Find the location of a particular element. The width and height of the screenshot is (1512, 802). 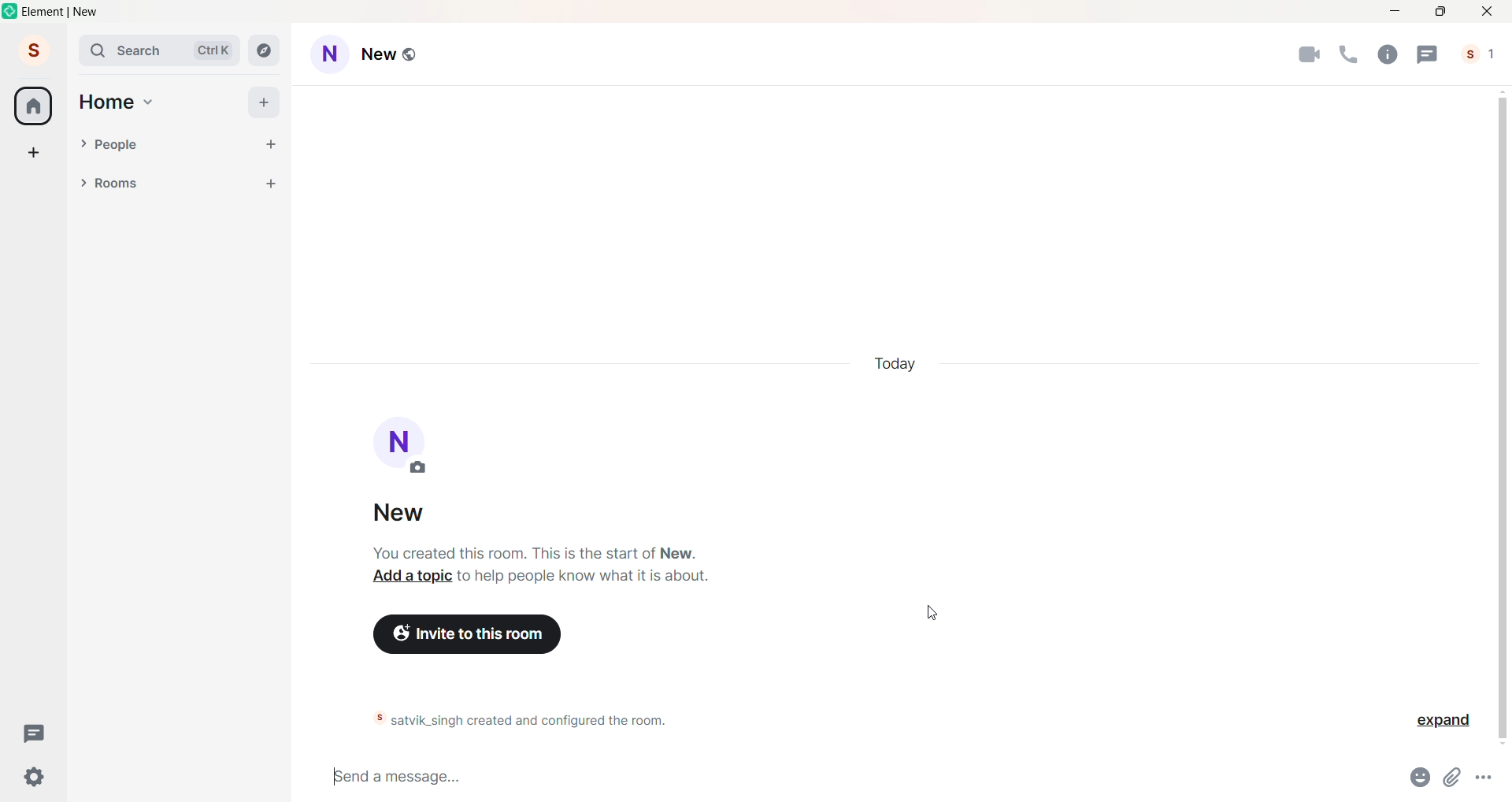

cursor is located at coordinates (934, 612).